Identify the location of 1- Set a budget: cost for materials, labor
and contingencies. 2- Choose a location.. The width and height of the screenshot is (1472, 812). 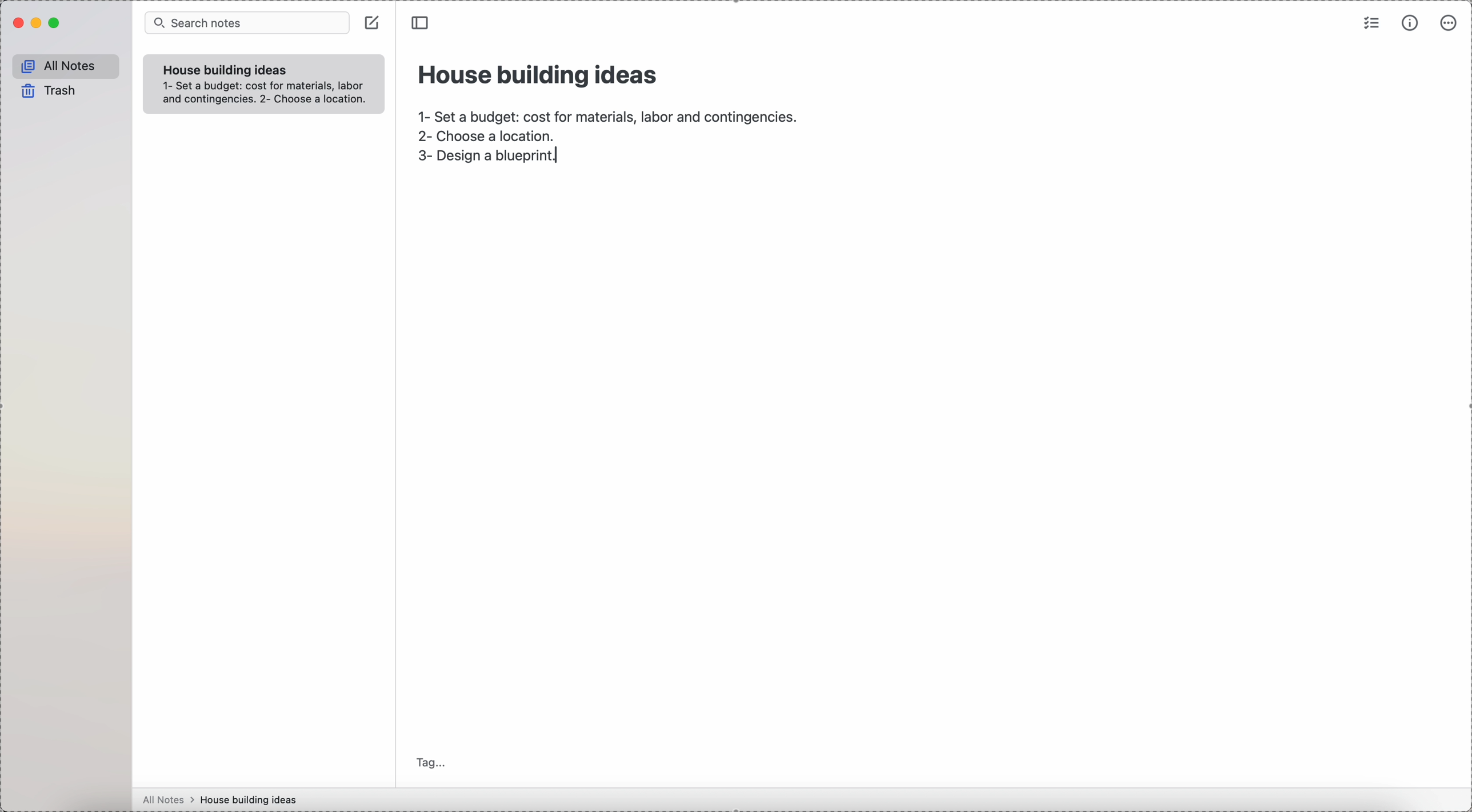
(268, 95).